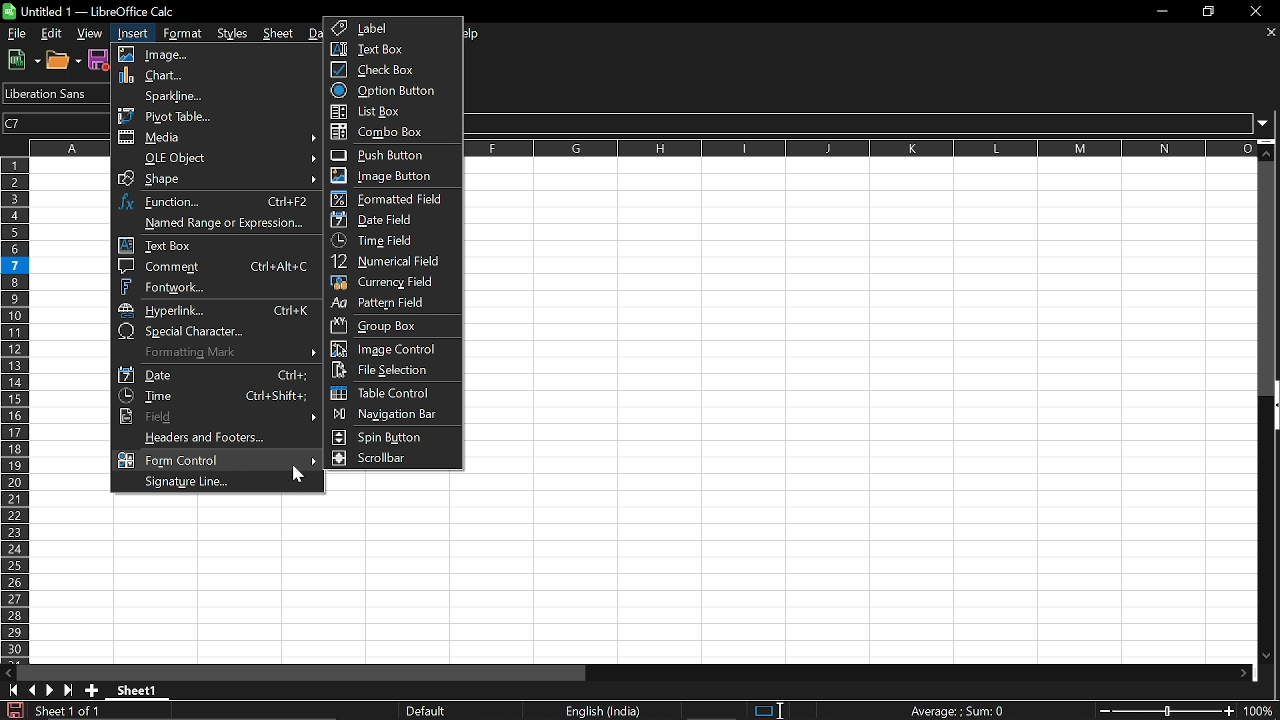 The width and height of the screenshot is (1280, 720). I want to click on Text box, so click(392, 49).